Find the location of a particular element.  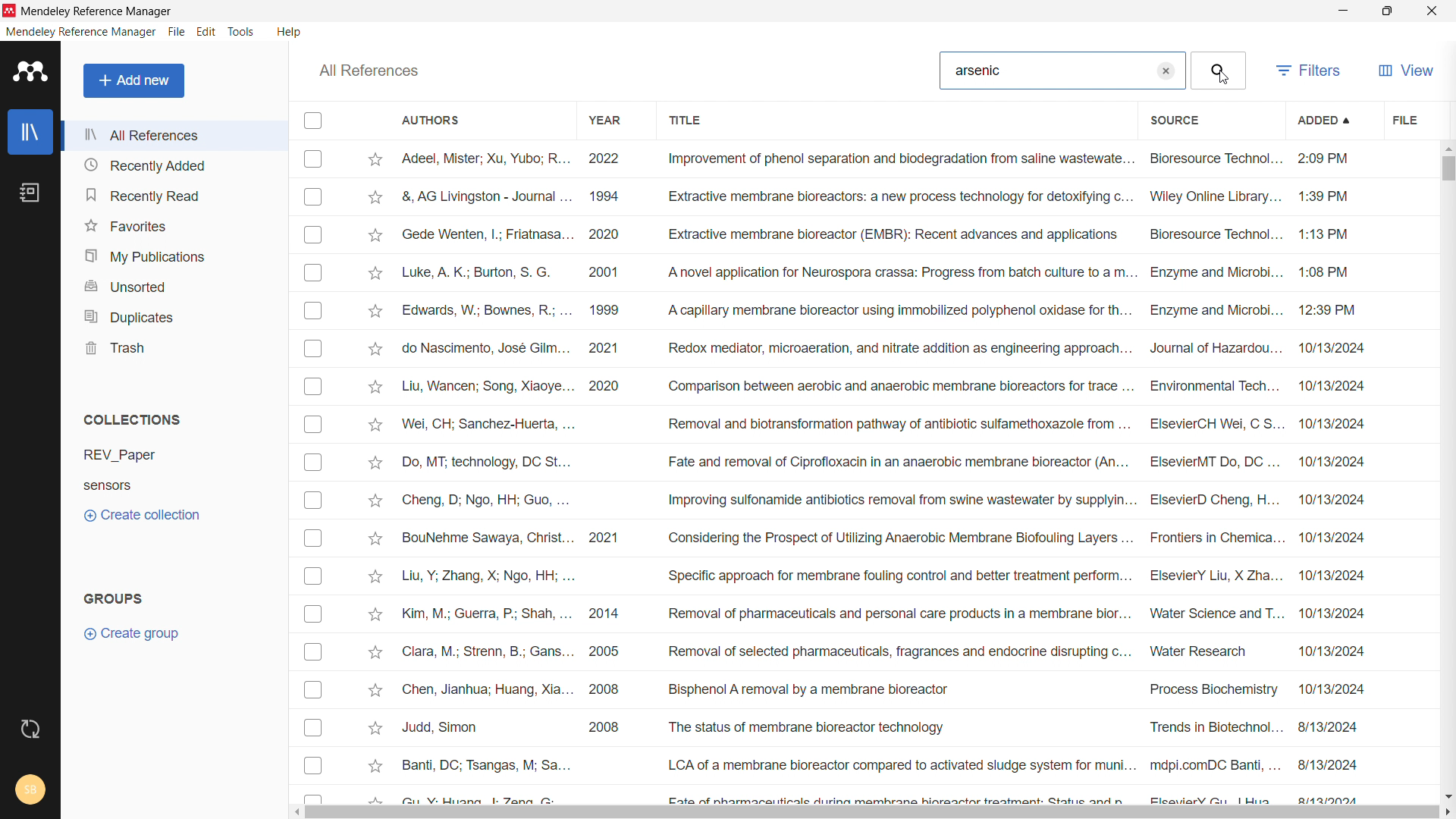

Checkbox is located at coordinates (314, 235).